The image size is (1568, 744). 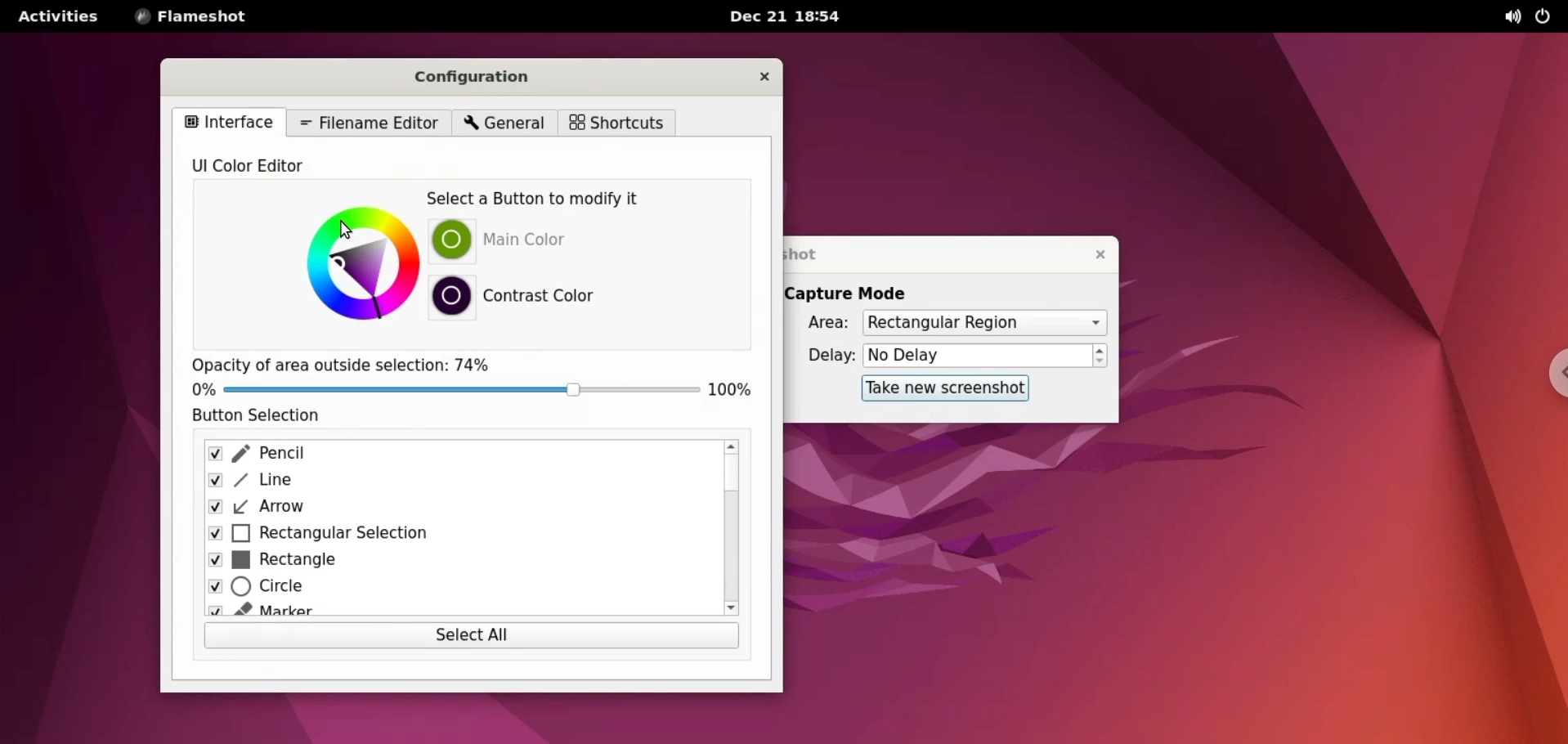 What do you see at coordinates (728, 530) in the screenshot?
I see `scroll bar` at bounding box center [728, 530].